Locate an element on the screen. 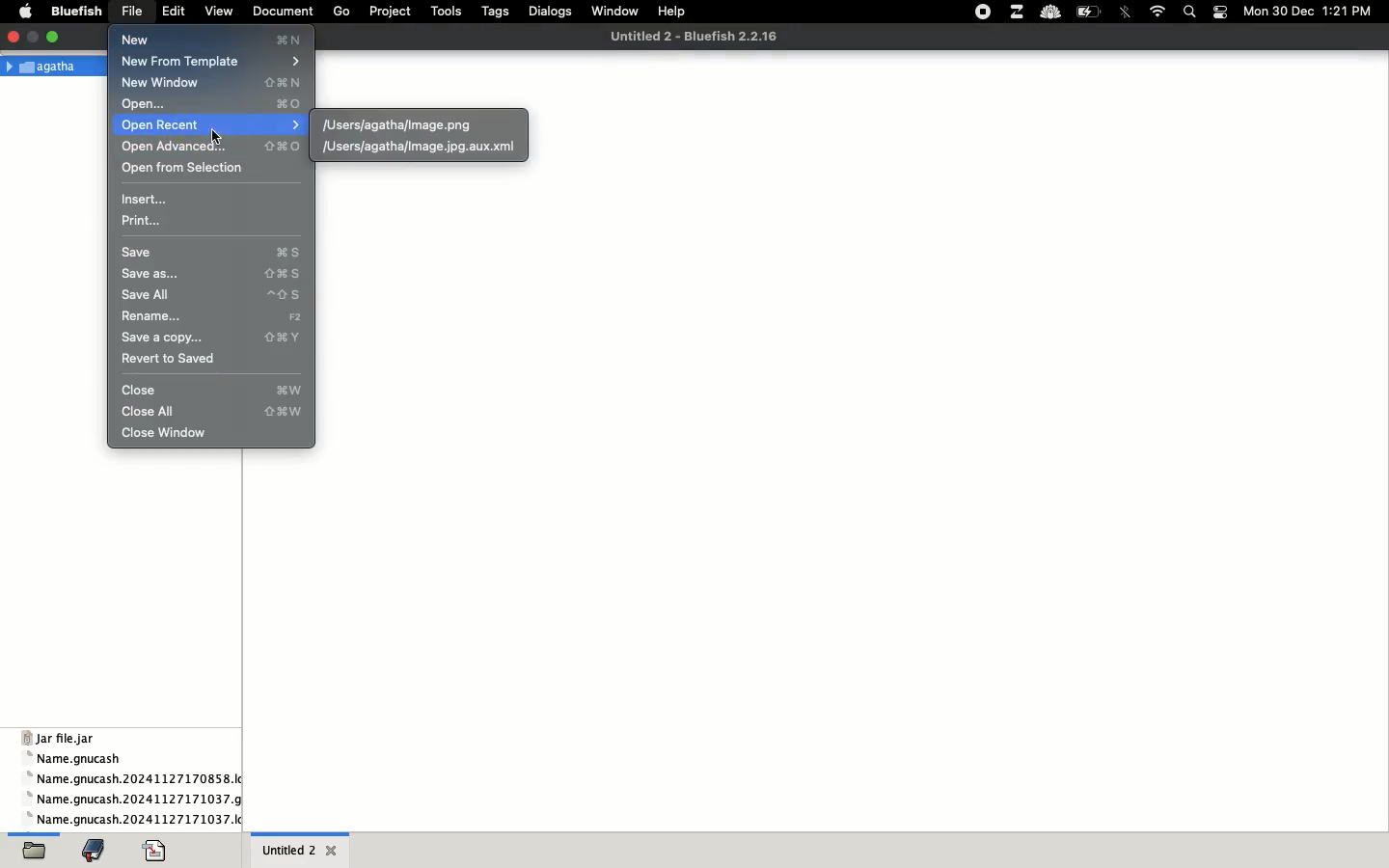 This screenshot has height=868, width=1389. save as is located at coordinates (212, 275).